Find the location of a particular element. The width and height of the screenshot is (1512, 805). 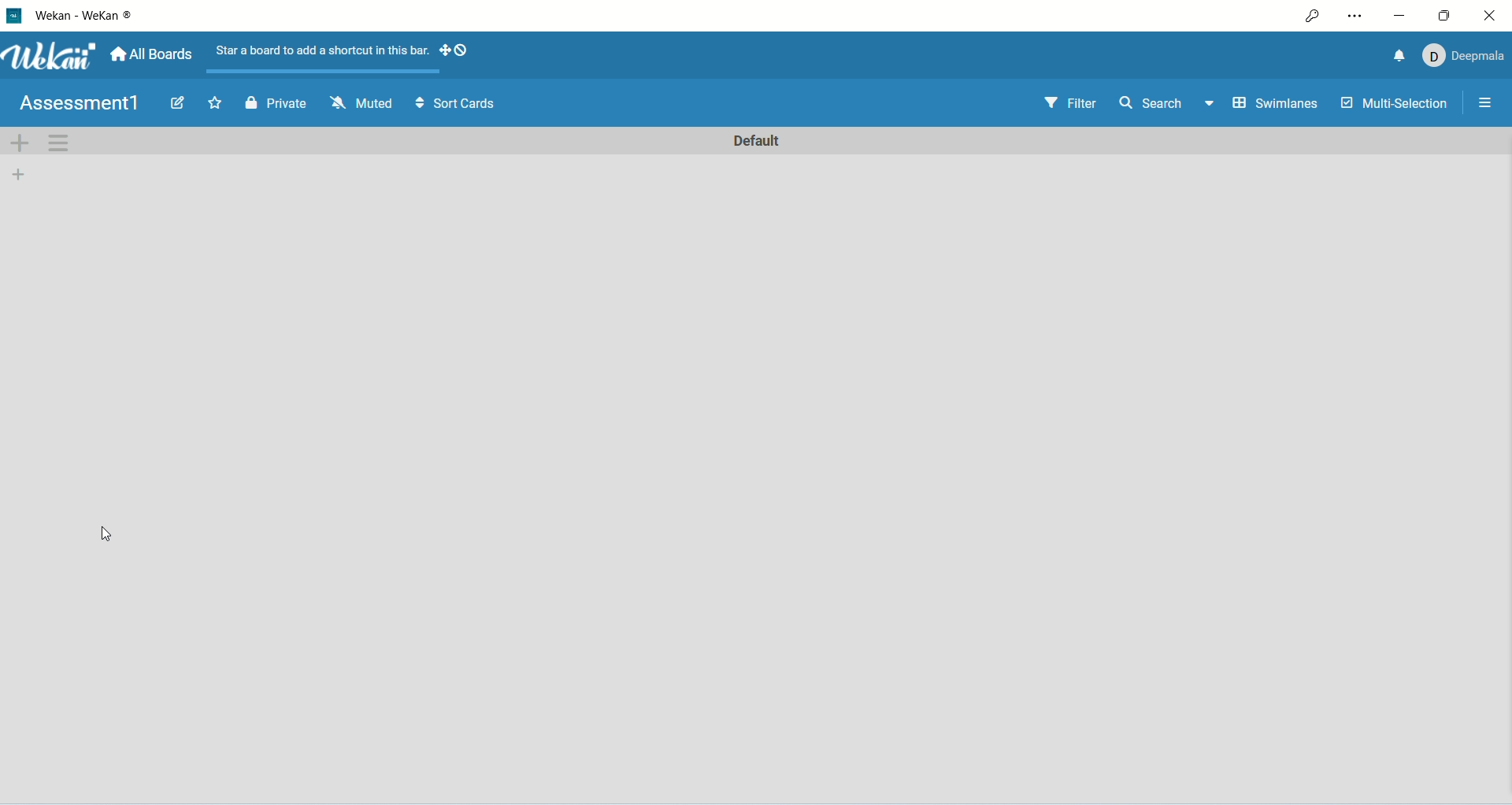

default is located at coordinates (754, 142).